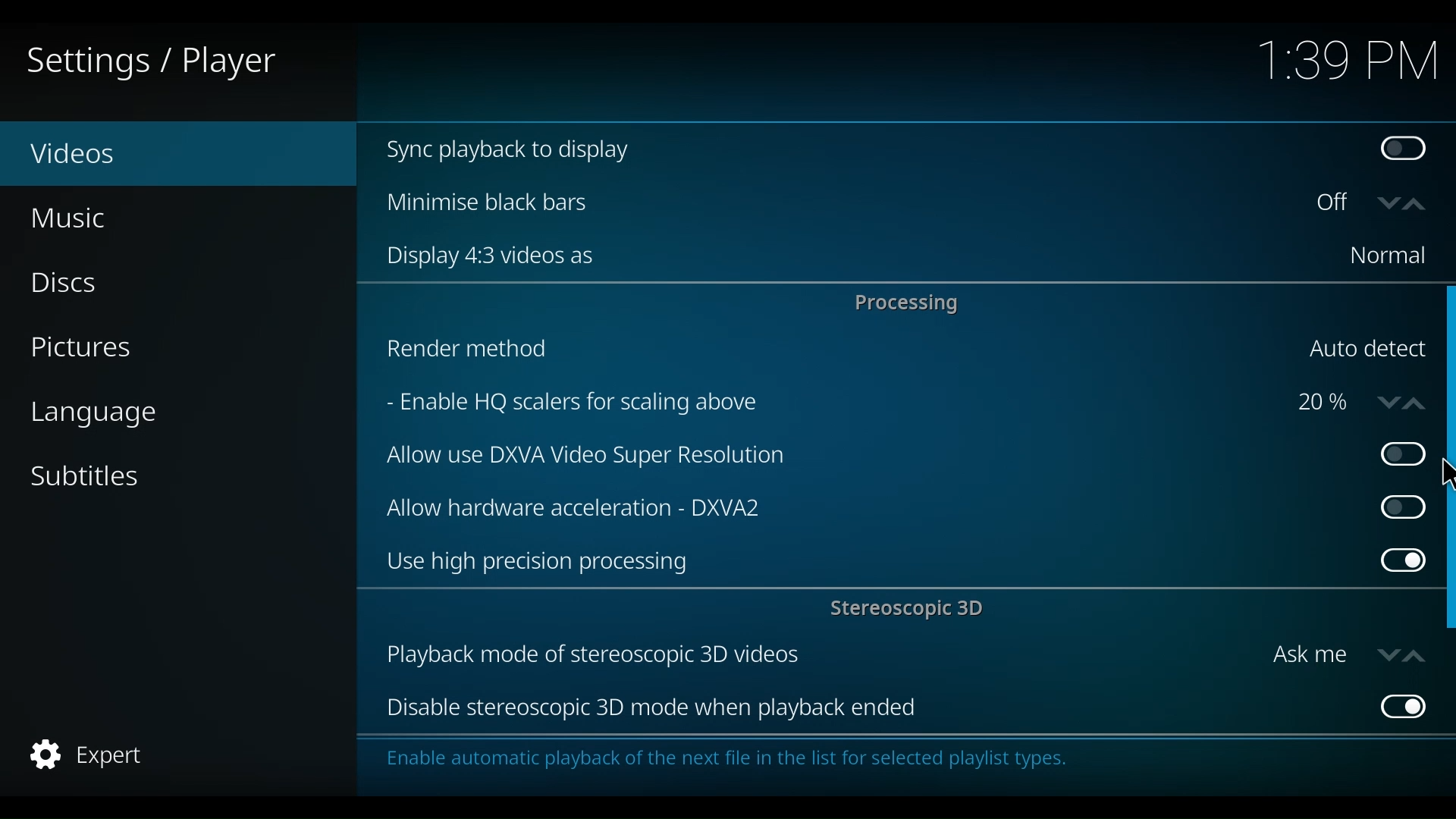  I want to click on Enable HQ scalers for scaling above, so click(826, 404).